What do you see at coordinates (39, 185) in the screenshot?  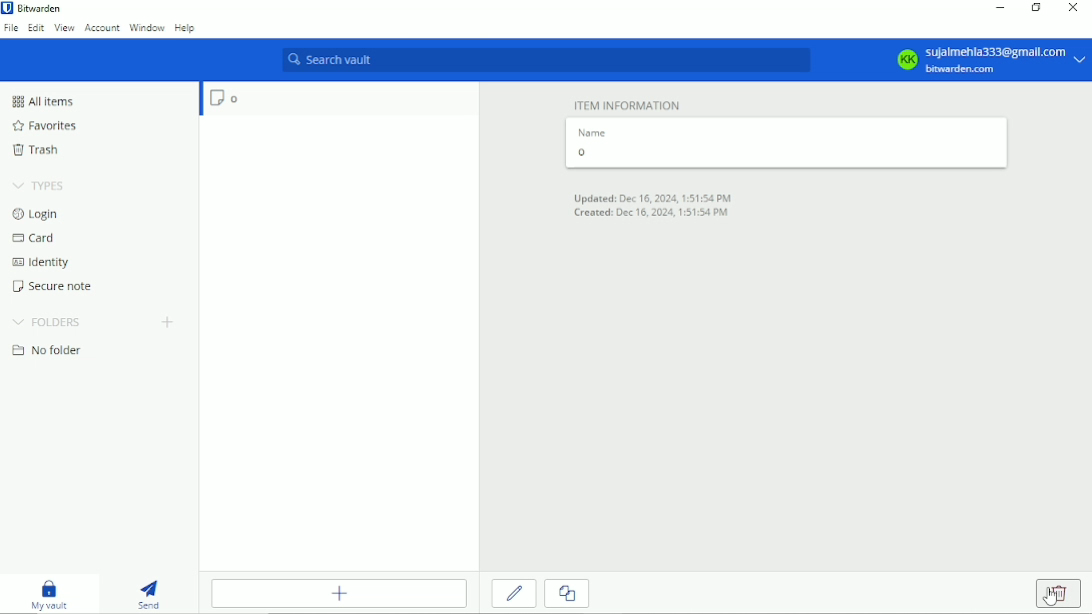 I see `Types` at bounding box center [39, 185].